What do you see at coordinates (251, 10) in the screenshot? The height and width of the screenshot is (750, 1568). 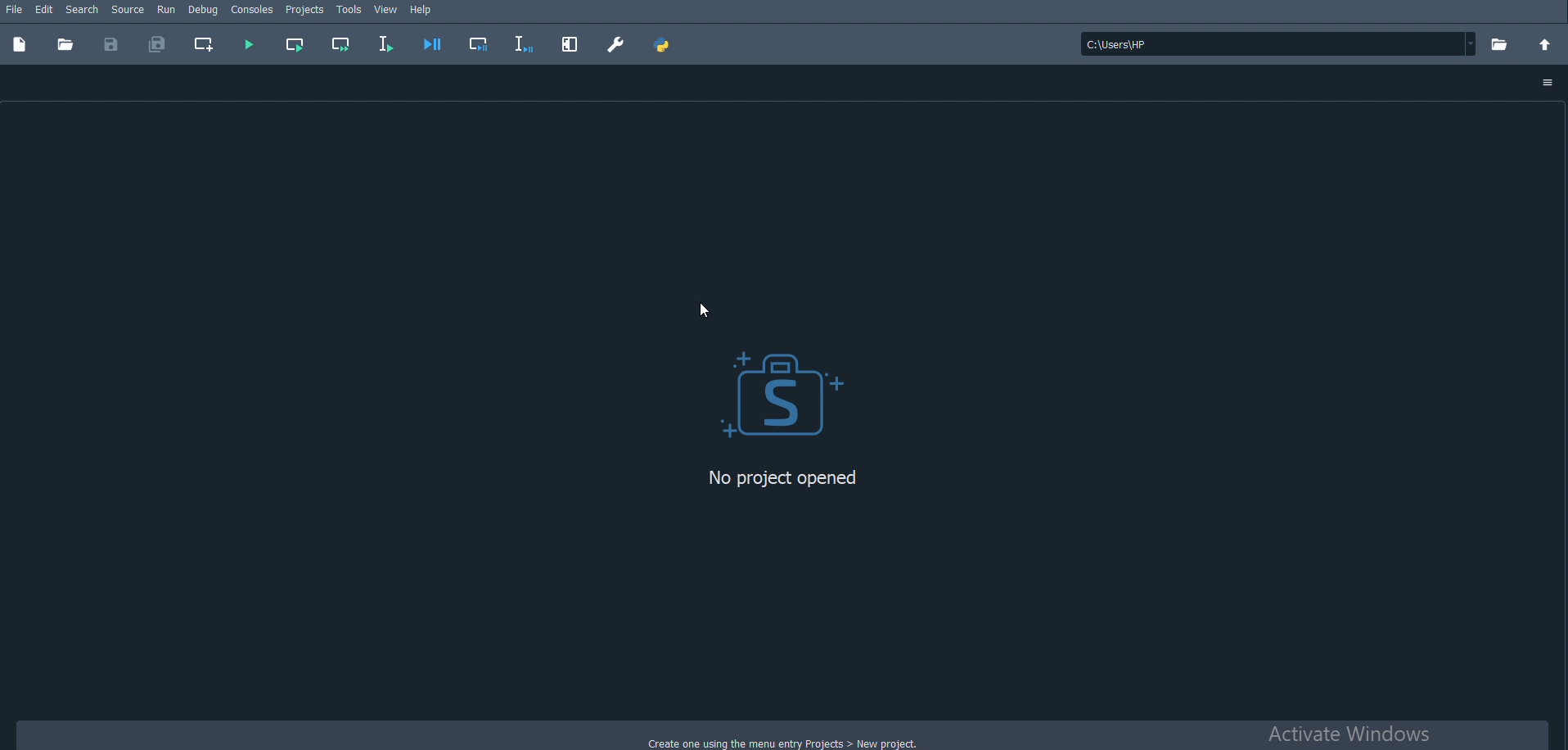 I see `Consoles` at bounding box center [251, 10].